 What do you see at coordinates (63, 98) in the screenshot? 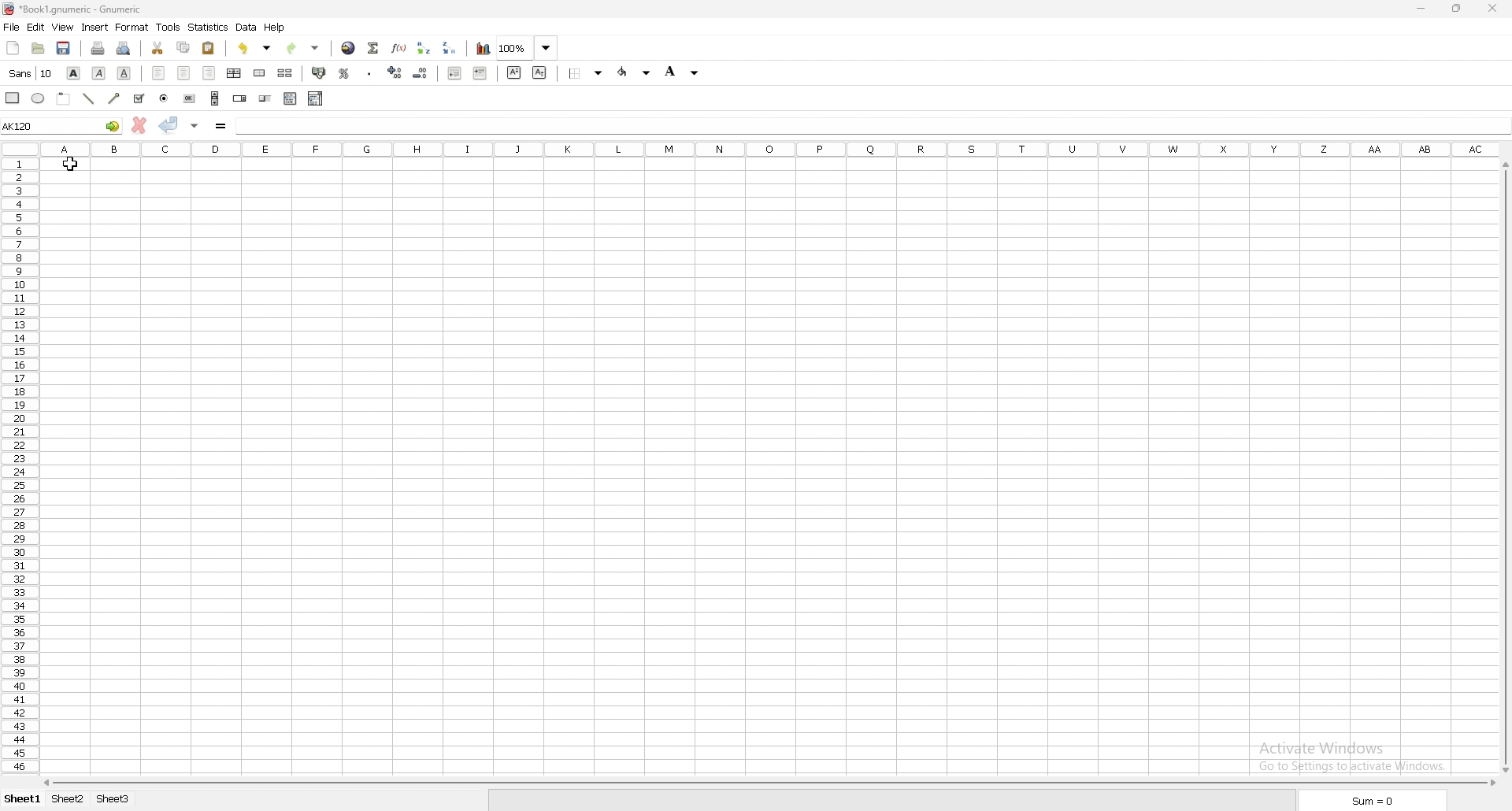
I see `frame` at bounding box center [63, 98].